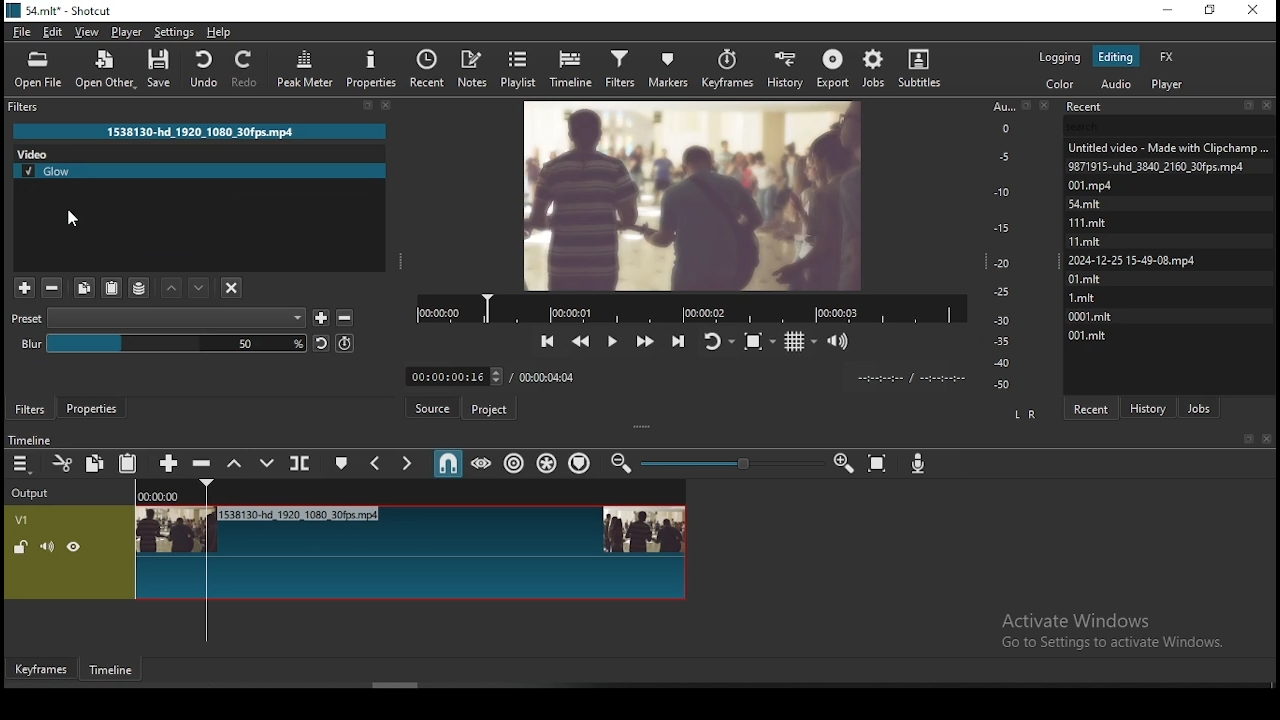 The height and width of the screenshot is (720, 1280). I want to click on snap, so click(447, 464).